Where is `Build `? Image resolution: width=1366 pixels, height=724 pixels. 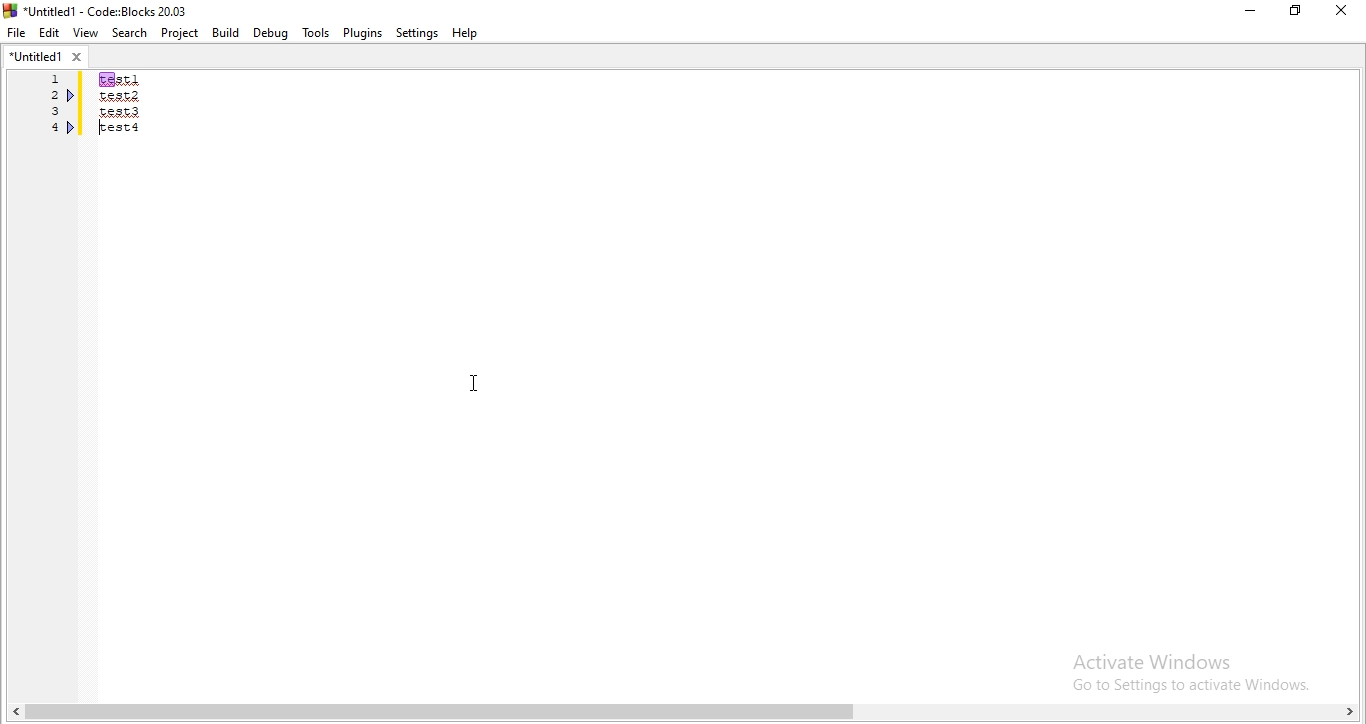 Build  is located at coordinates (224, 33).